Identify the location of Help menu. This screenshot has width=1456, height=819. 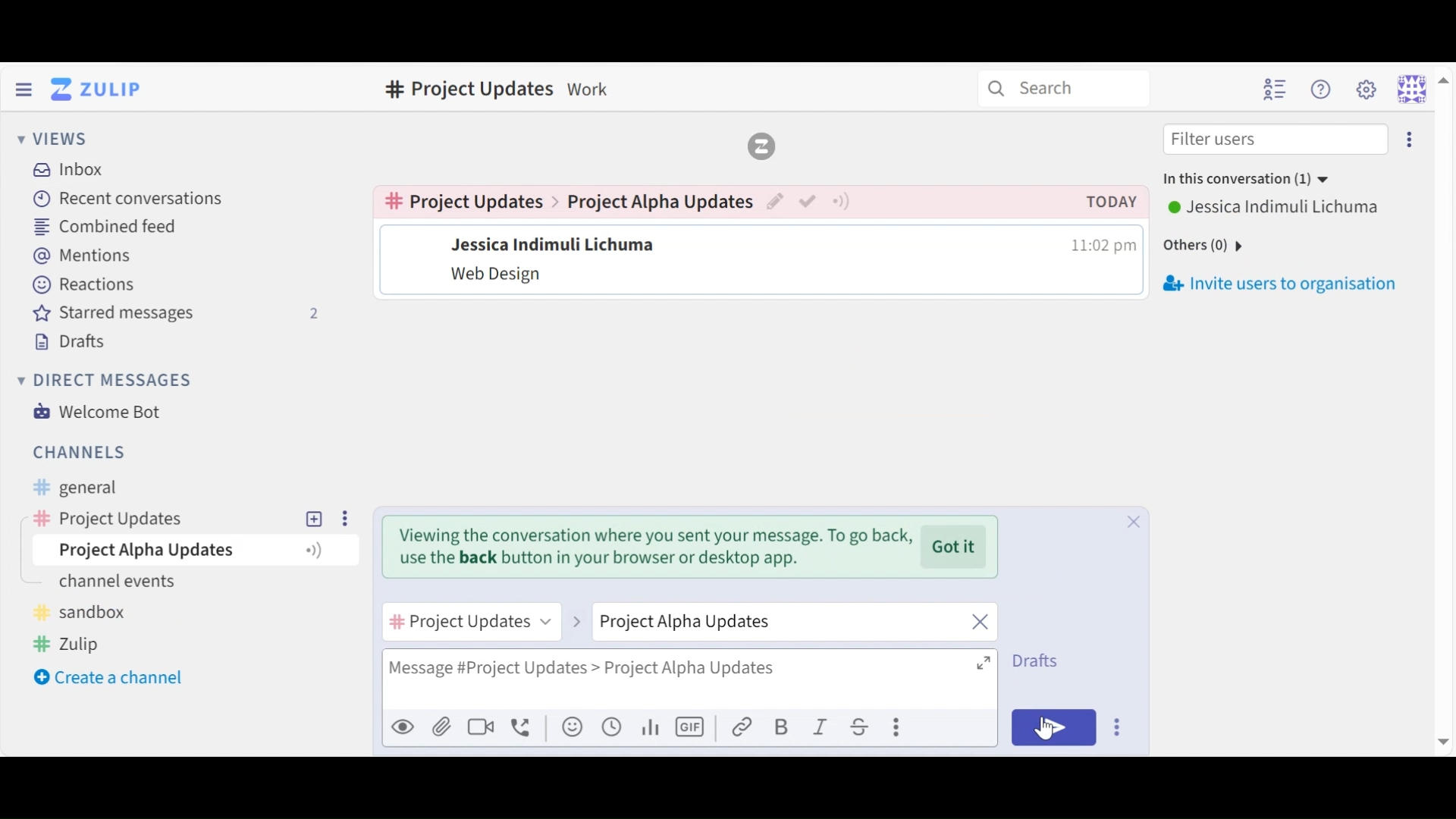
(1323, 89).